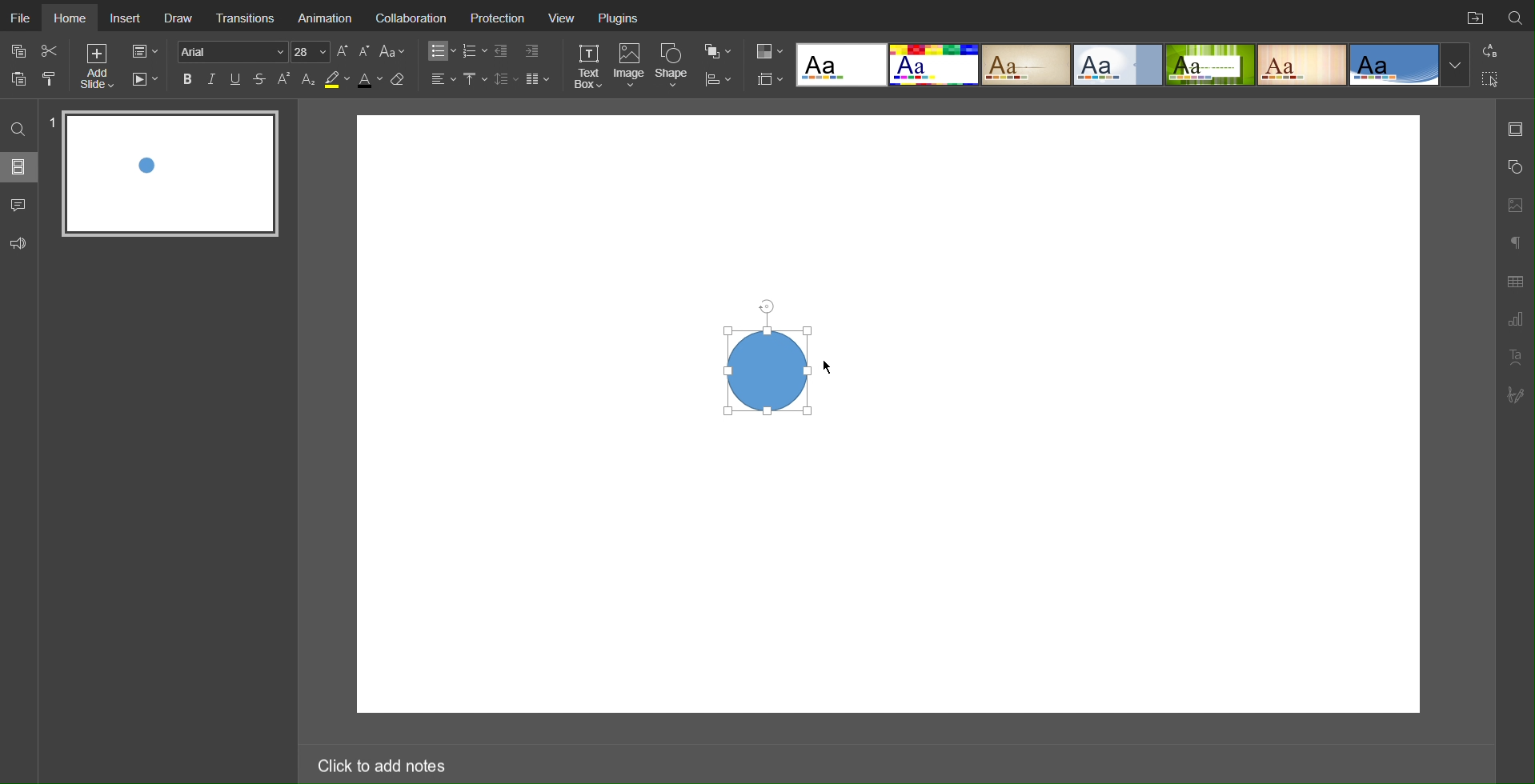  I want to click on Search, so click(1516, 15).